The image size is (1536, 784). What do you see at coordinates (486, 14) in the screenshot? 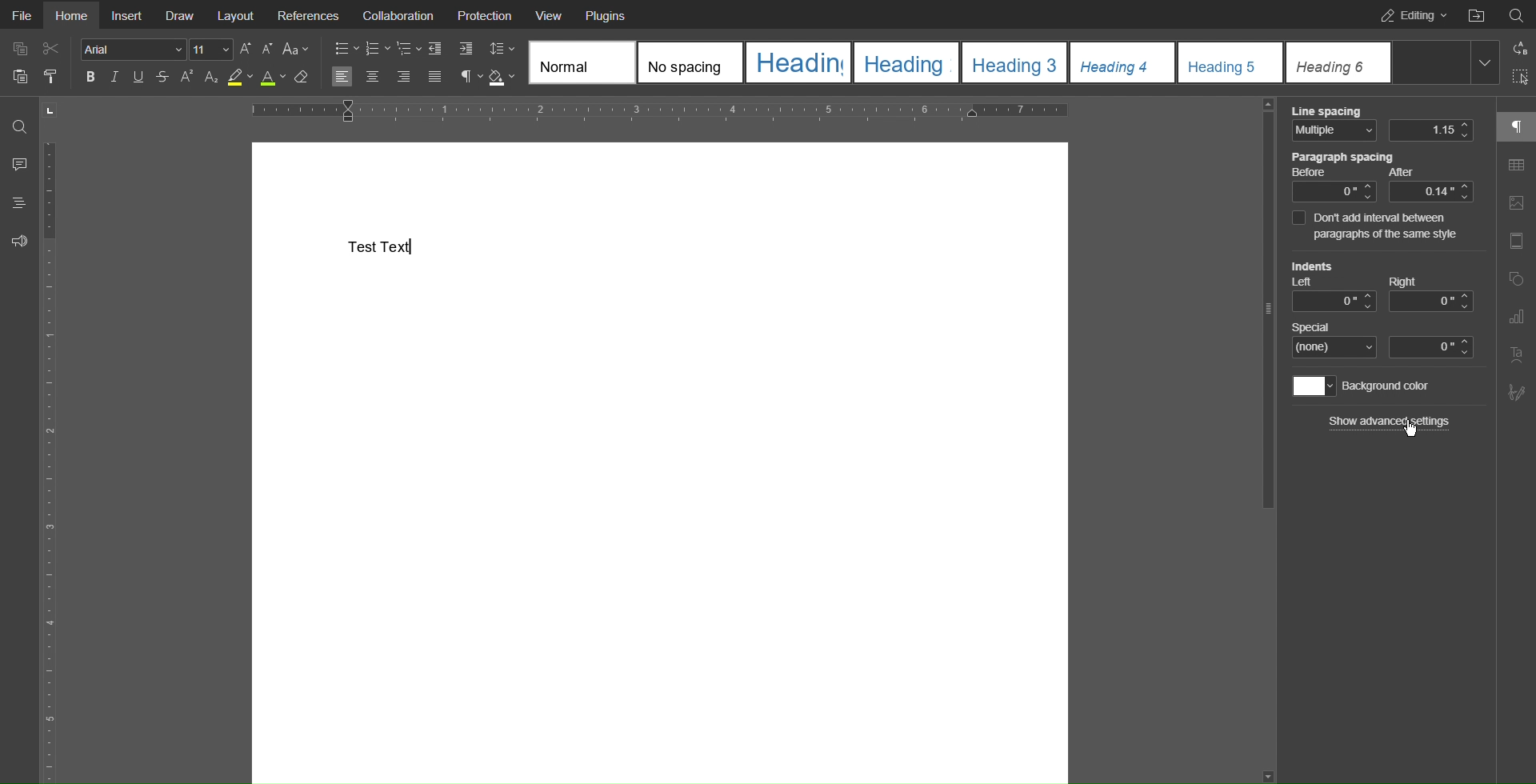
I see `Protection` at bounding box center [486, 14].